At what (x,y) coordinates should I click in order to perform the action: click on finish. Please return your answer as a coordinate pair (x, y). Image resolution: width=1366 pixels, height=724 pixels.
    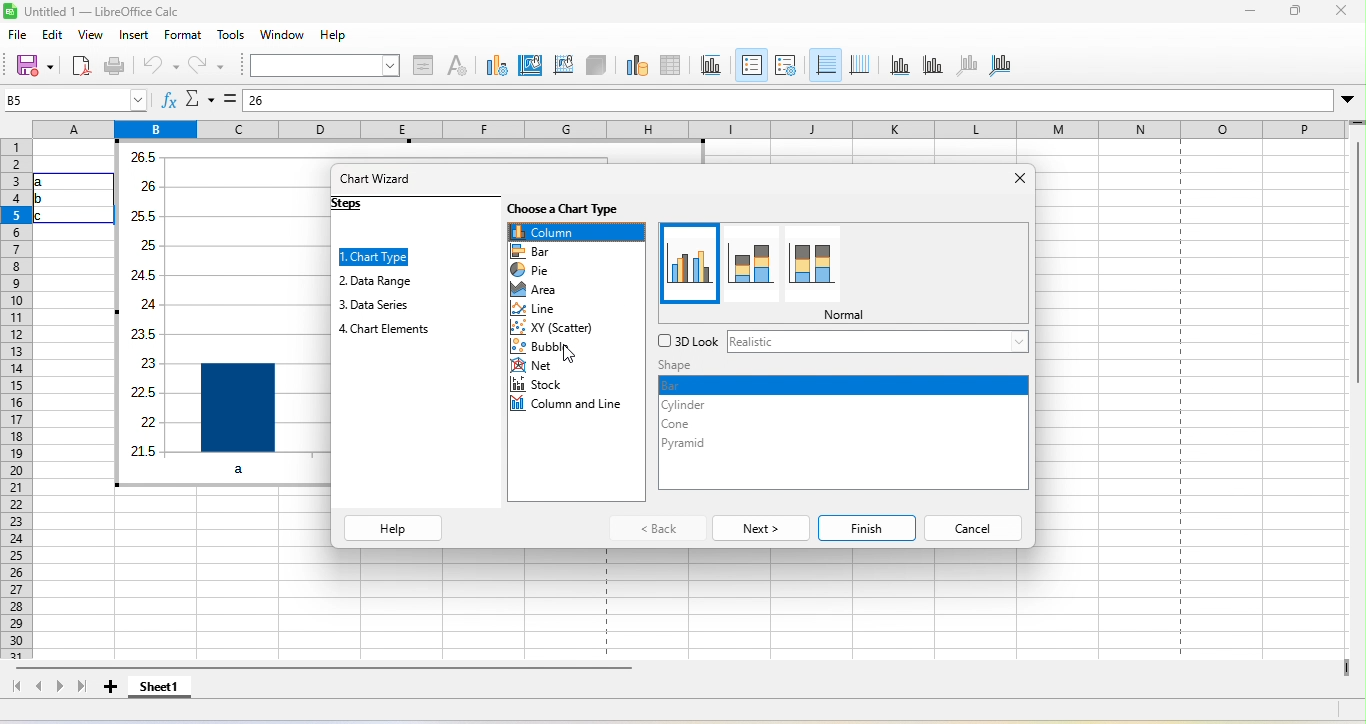
    Looking at the image, I should click on (867, 524).